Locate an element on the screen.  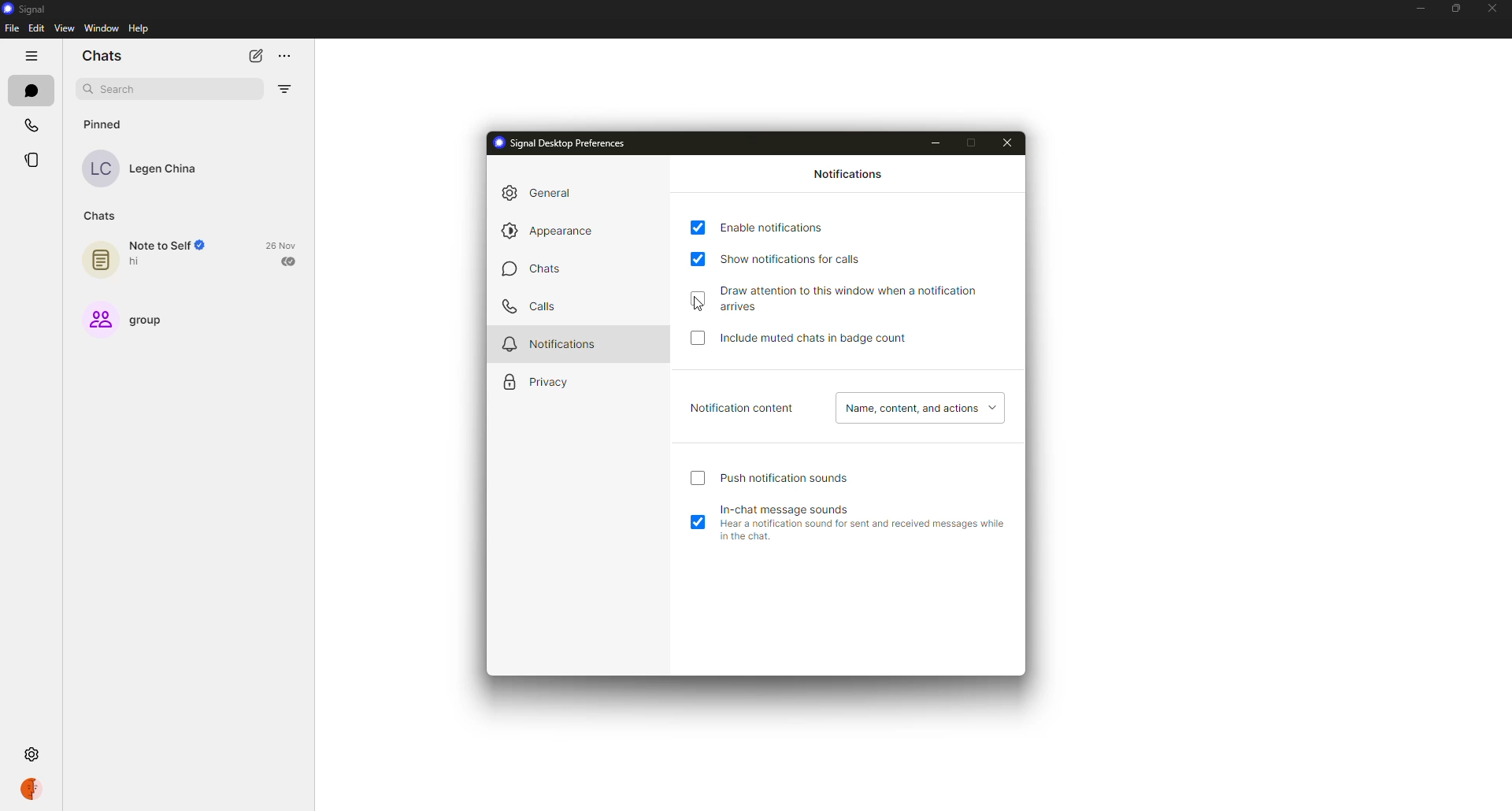
close is located at coordinates (1491, 8).